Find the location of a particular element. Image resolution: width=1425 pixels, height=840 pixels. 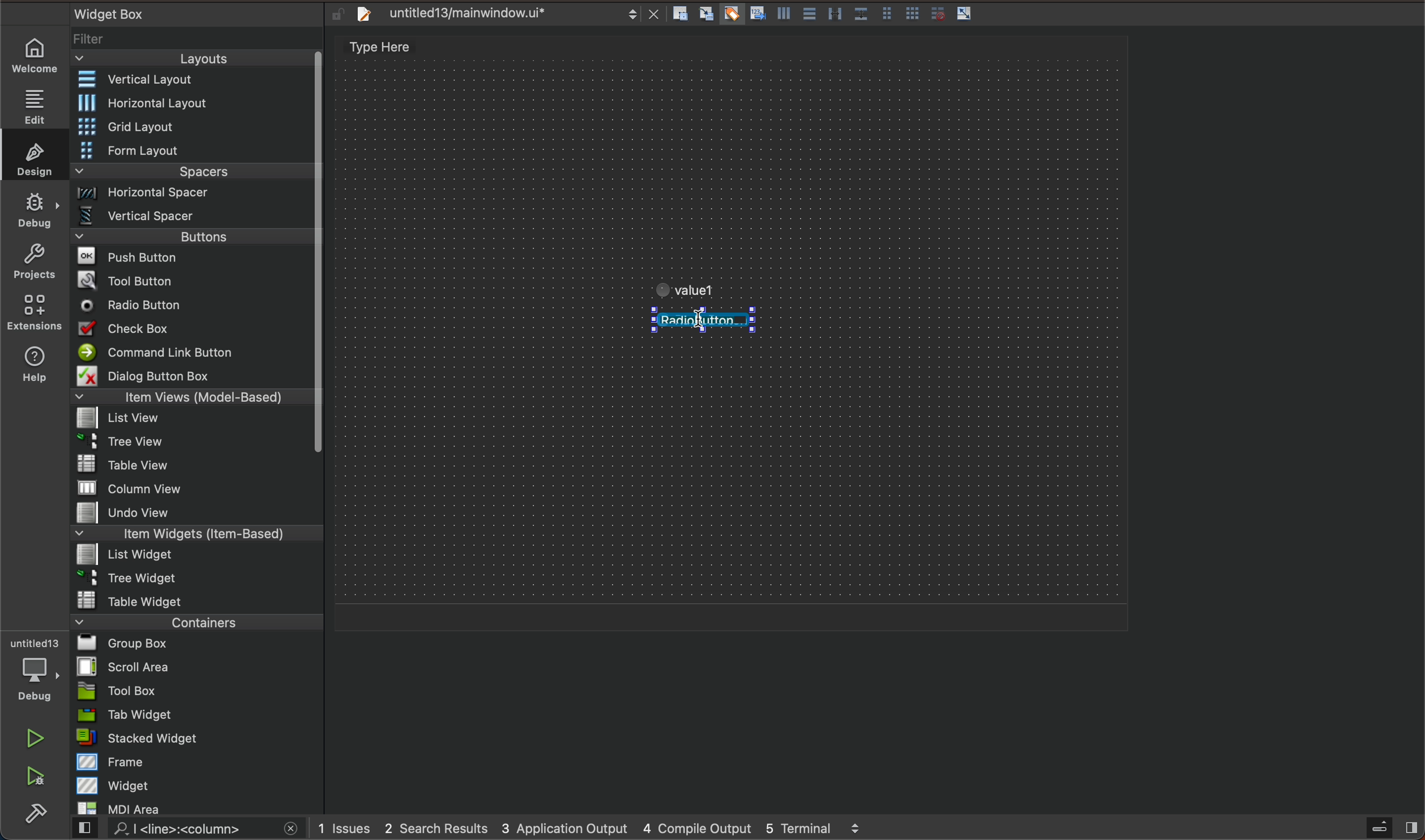

undo view is located at coordinates (197, 512).